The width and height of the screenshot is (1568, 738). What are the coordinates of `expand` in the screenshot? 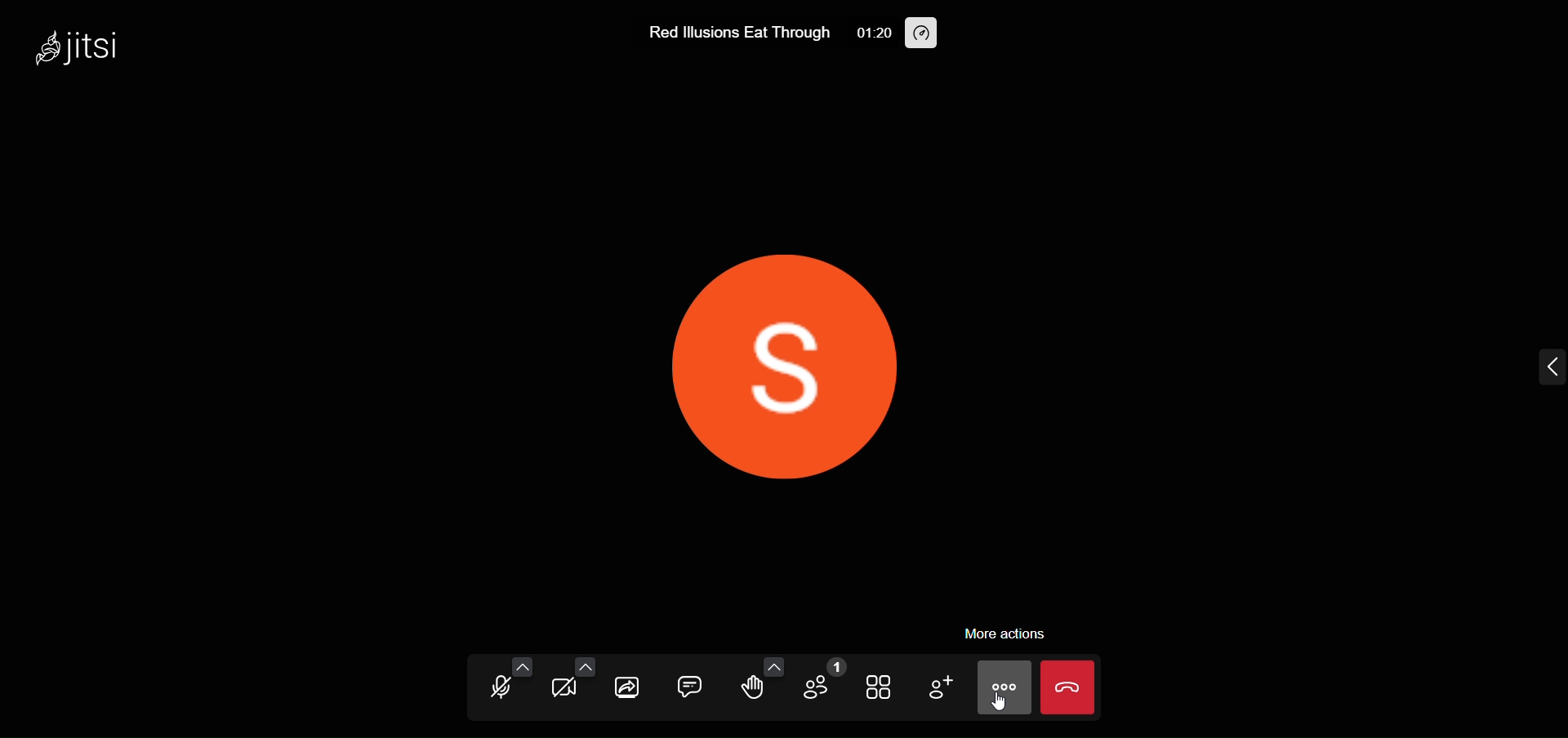 It's located at (1545, 370).